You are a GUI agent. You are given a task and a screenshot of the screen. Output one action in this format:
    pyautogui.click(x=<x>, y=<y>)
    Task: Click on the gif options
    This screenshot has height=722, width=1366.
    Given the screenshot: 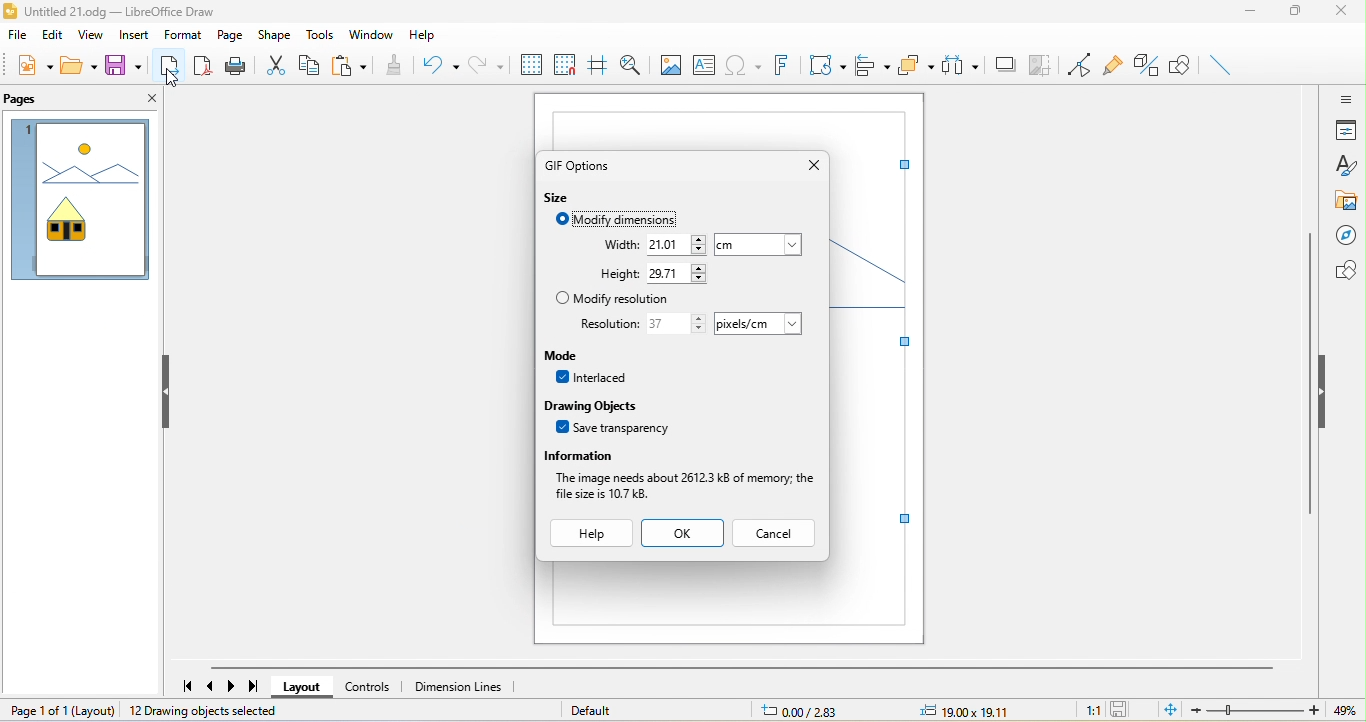 What is the action you would take?
    pyautogui.click(x=581, y=165)
    